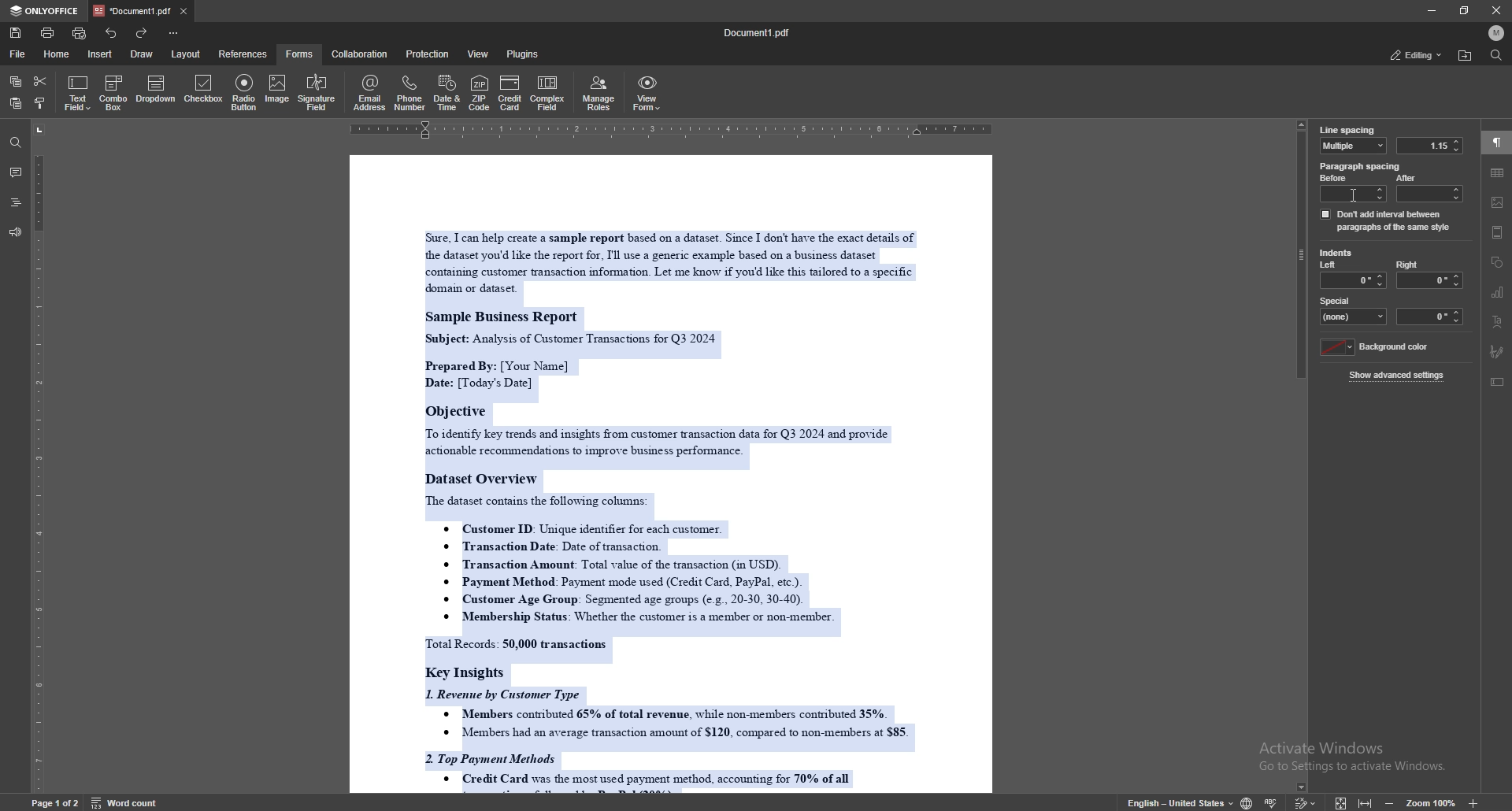 The width and height of the screenshot is (1512, 811). I want to click on zoom in, so click(1472, 803).